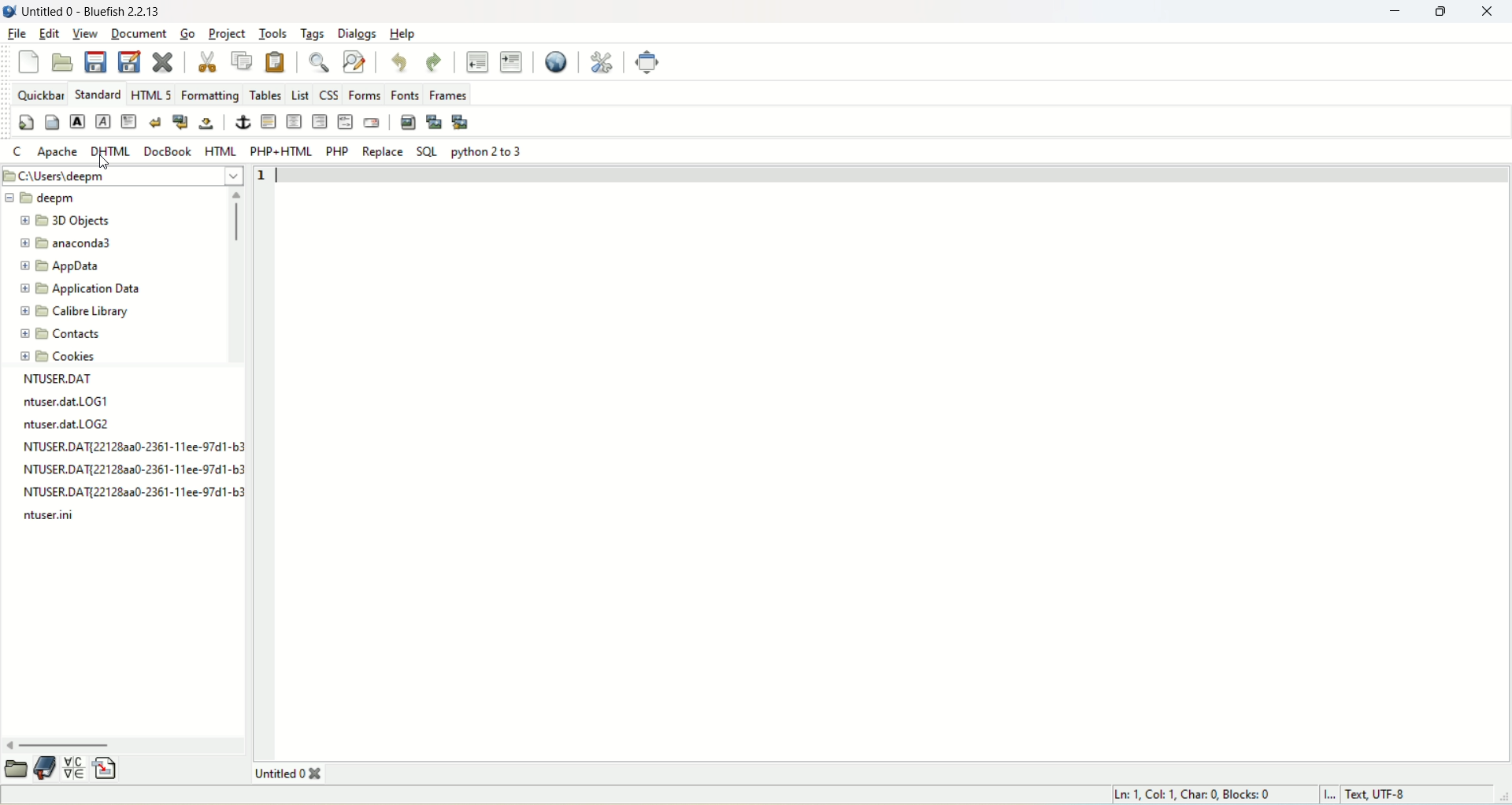  Describe the element at coordinates (66, 222) in the screenshot. I see `3D objects` at that location.